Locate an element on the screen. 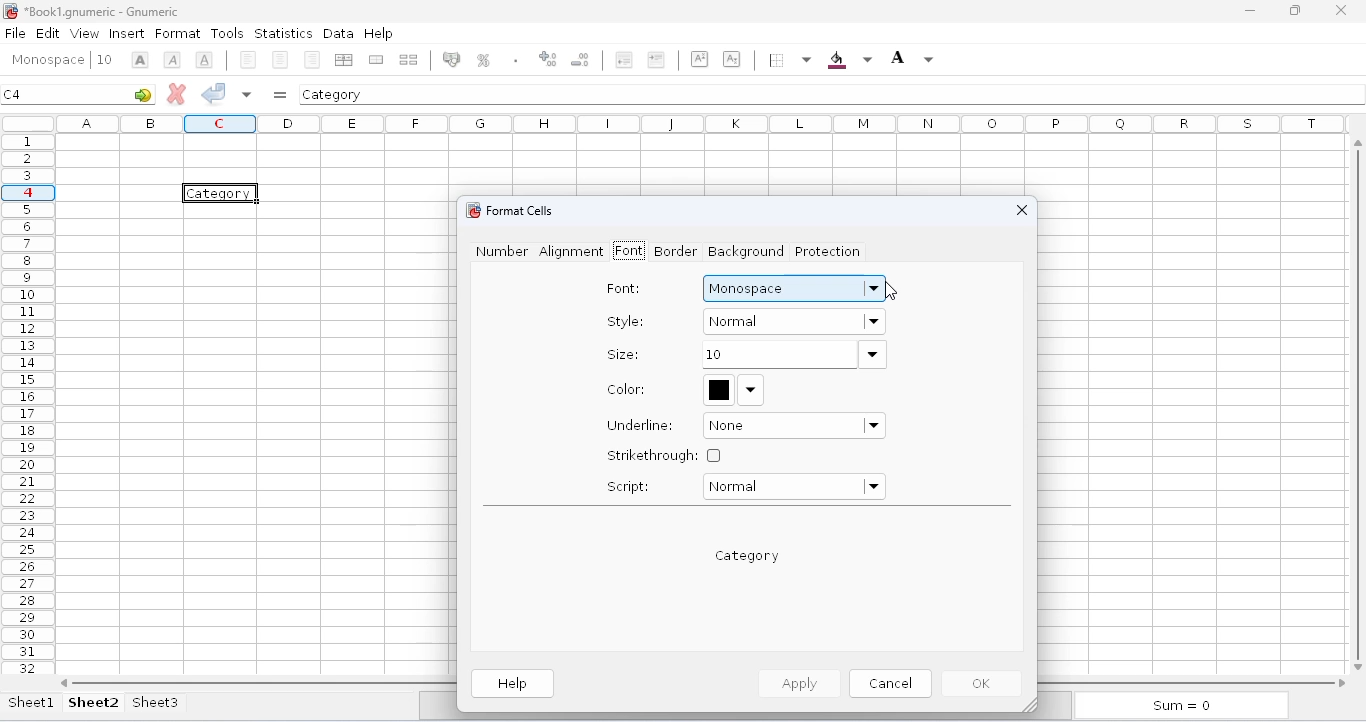  cancel is located at coordinates (890, 682).